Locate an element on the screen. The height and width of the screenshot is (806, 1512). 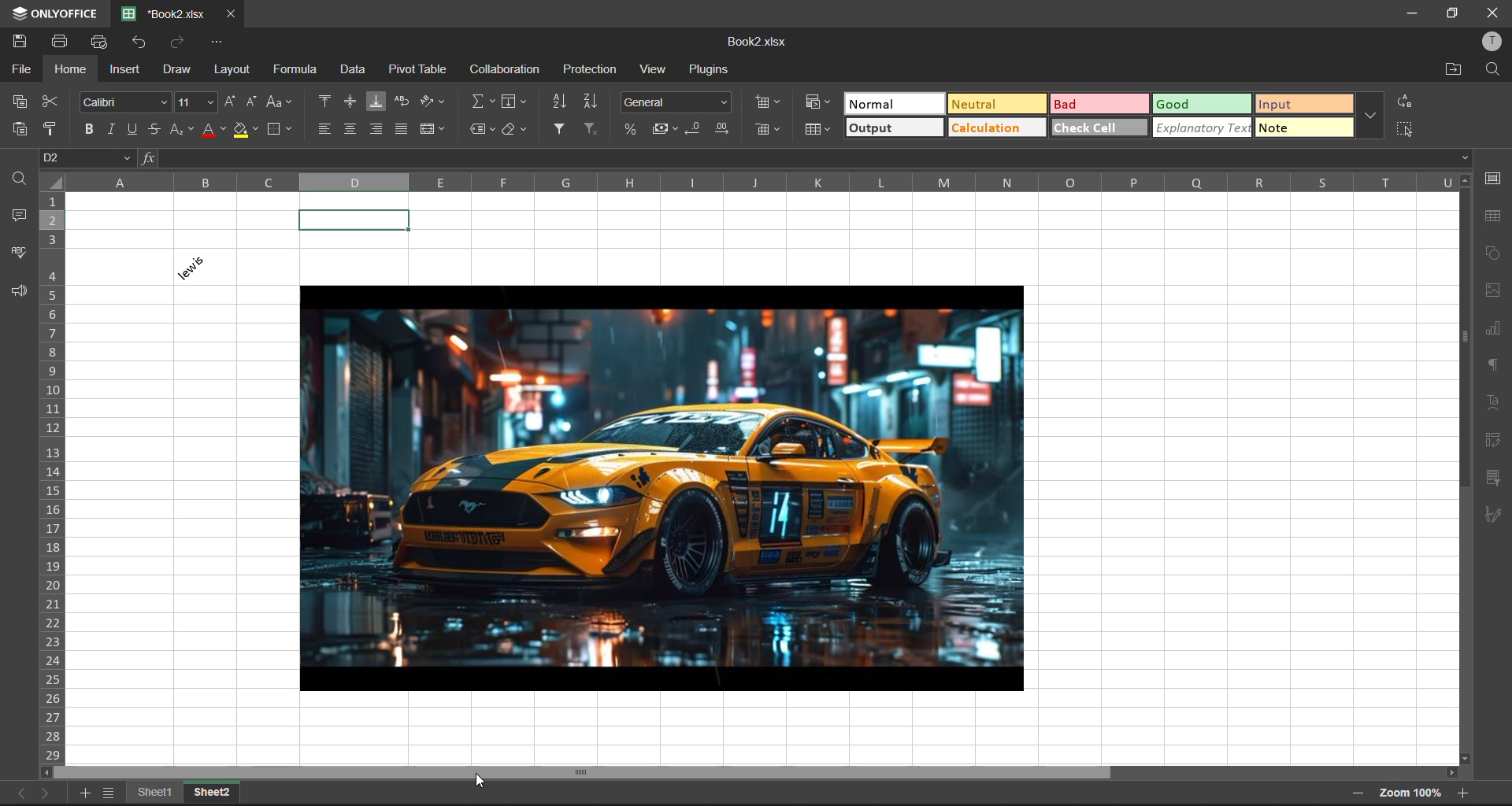
previous is located at coordinates (20, 792).